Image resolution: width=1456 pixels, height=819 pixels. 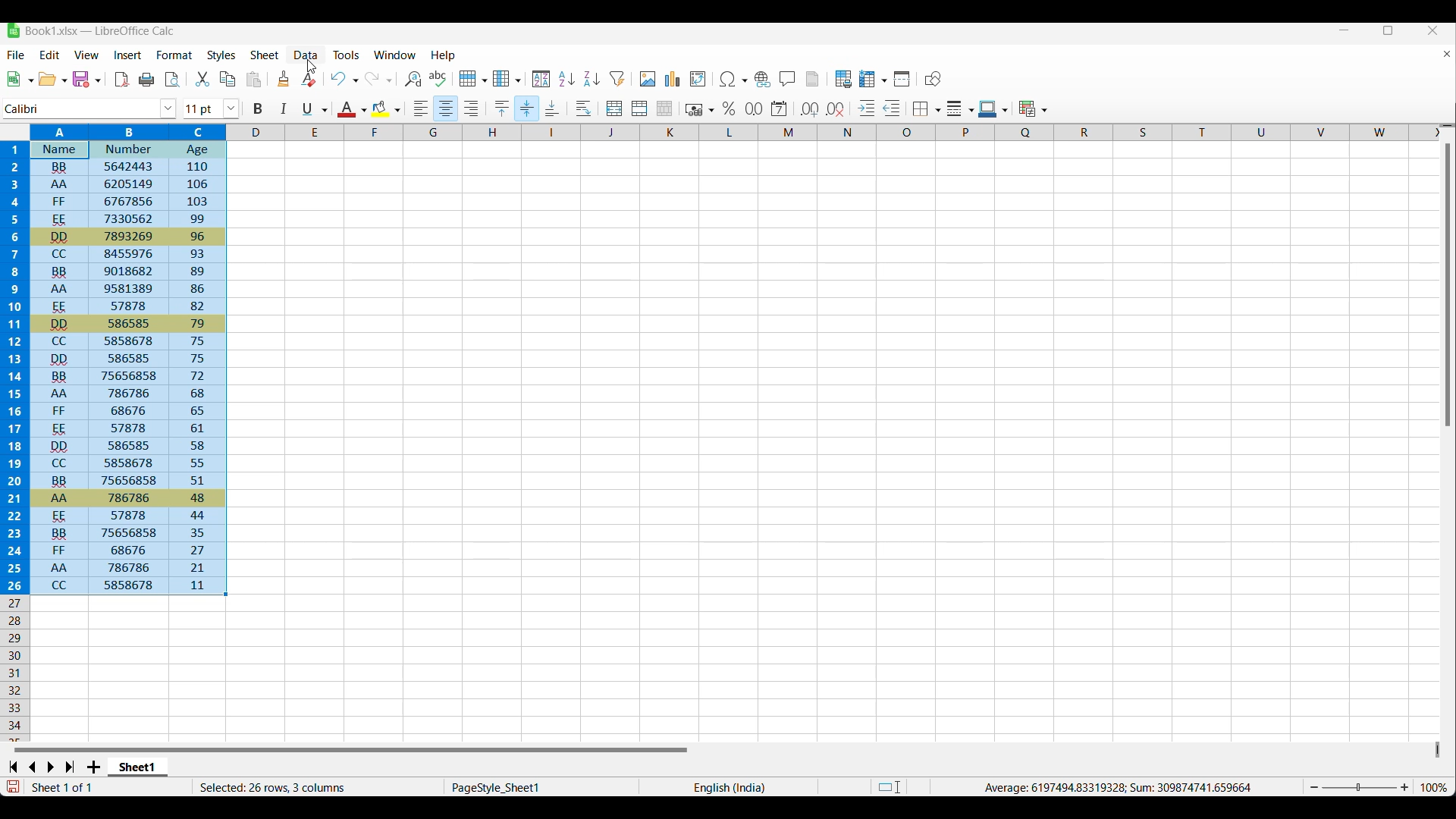 I want to click on Zoom out, so click(x=1314, y=787).